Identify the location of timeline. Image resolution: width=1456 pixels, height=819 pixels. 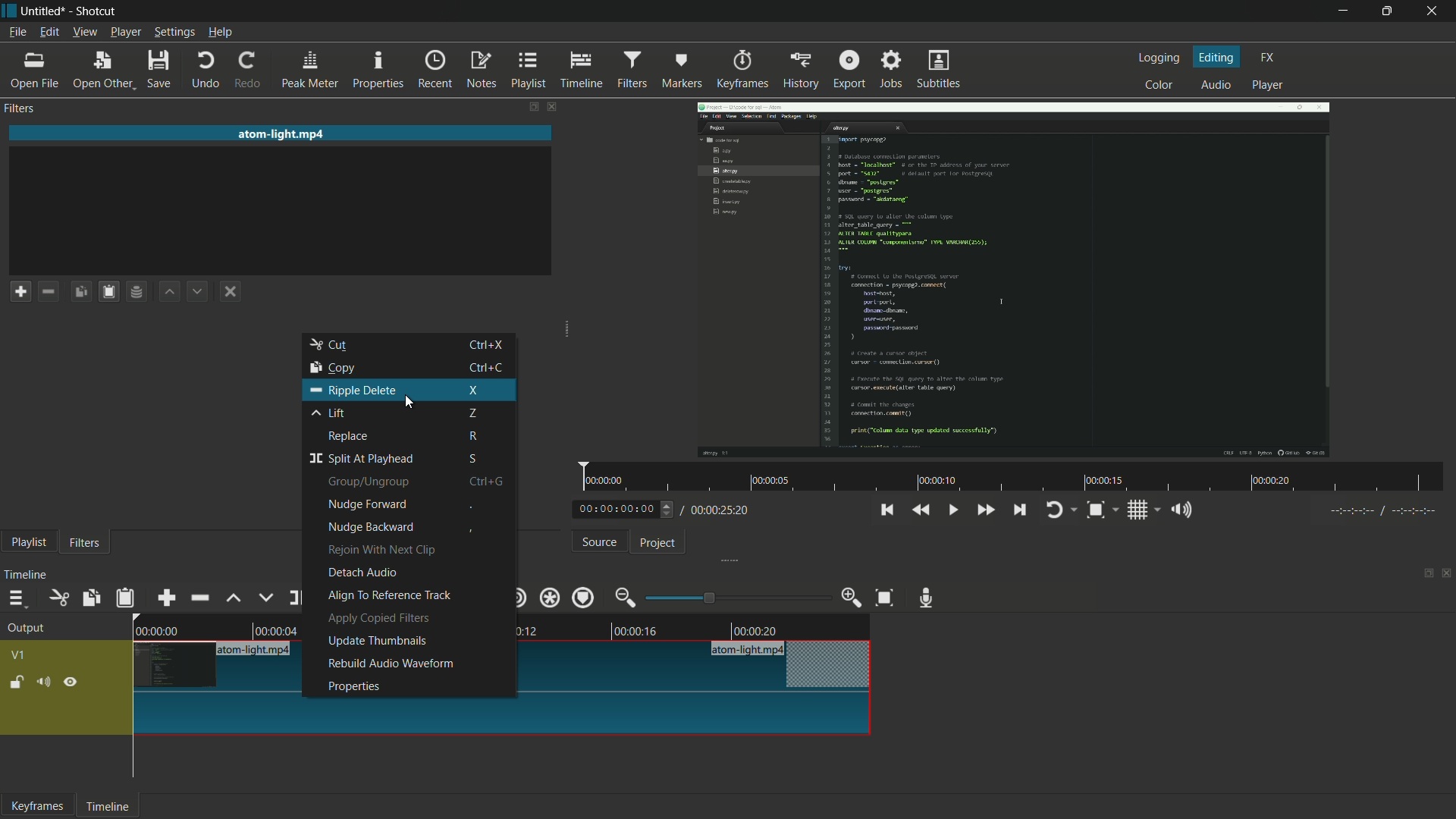
(28, 576).